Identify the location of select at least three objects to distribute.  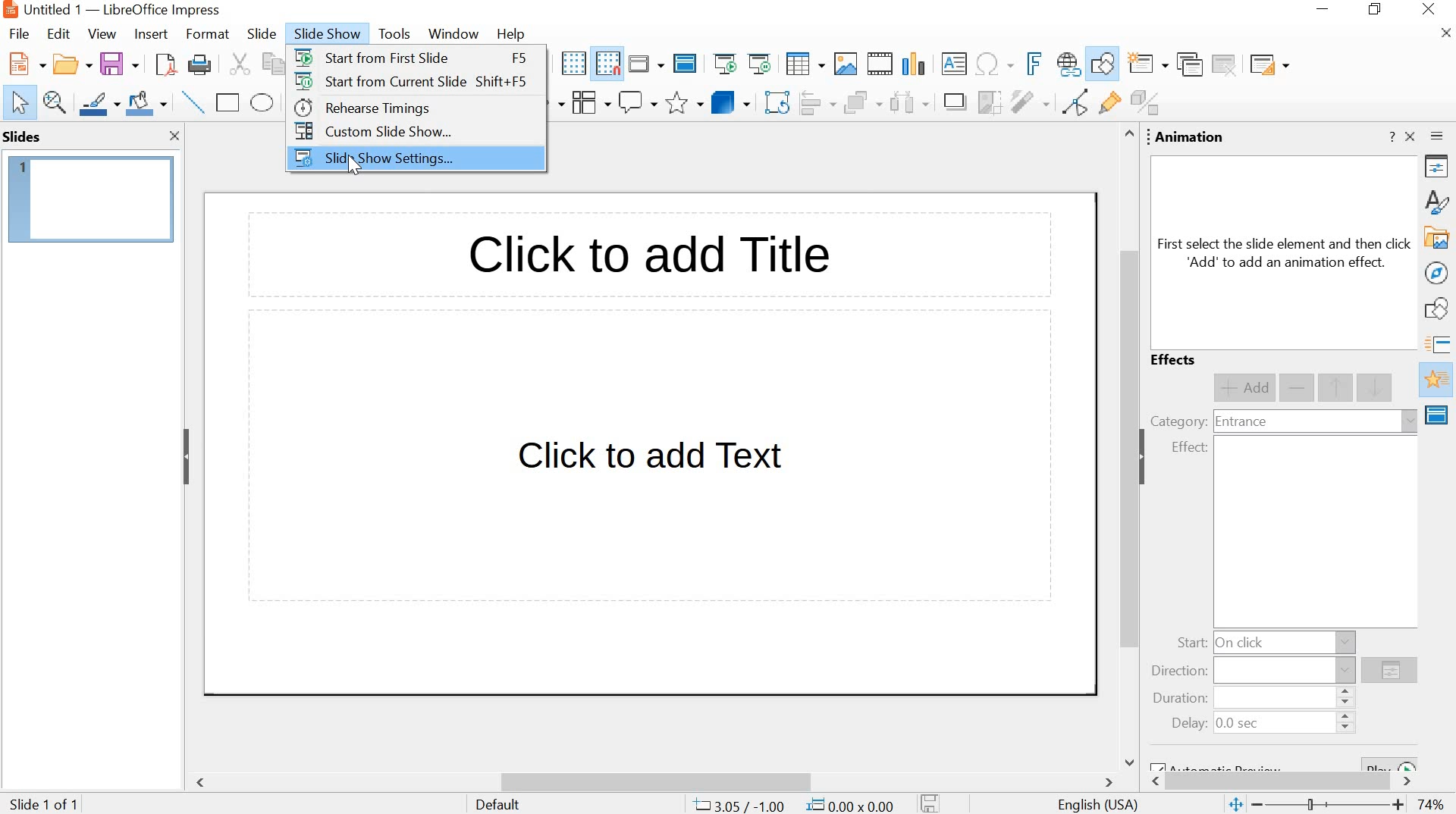
(908, 104).